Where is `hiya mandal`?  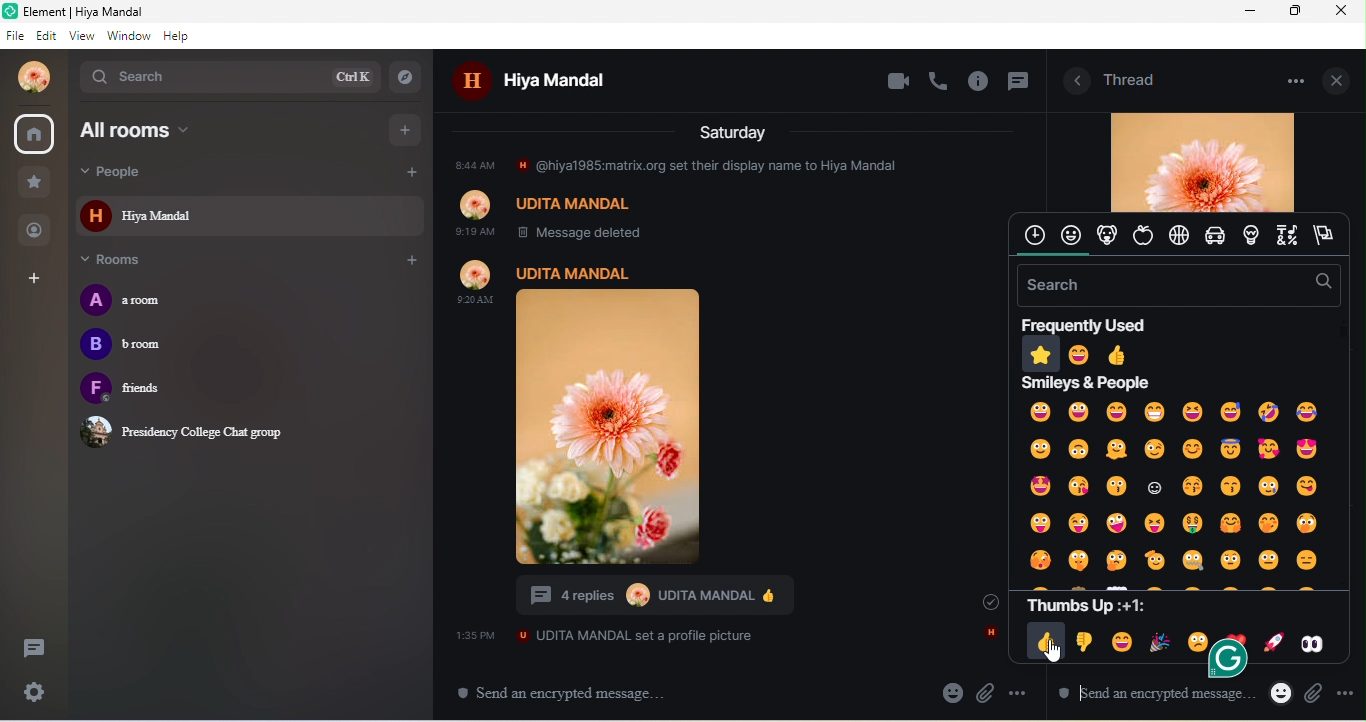 hiya mandal is located at coordinates (250, 215).